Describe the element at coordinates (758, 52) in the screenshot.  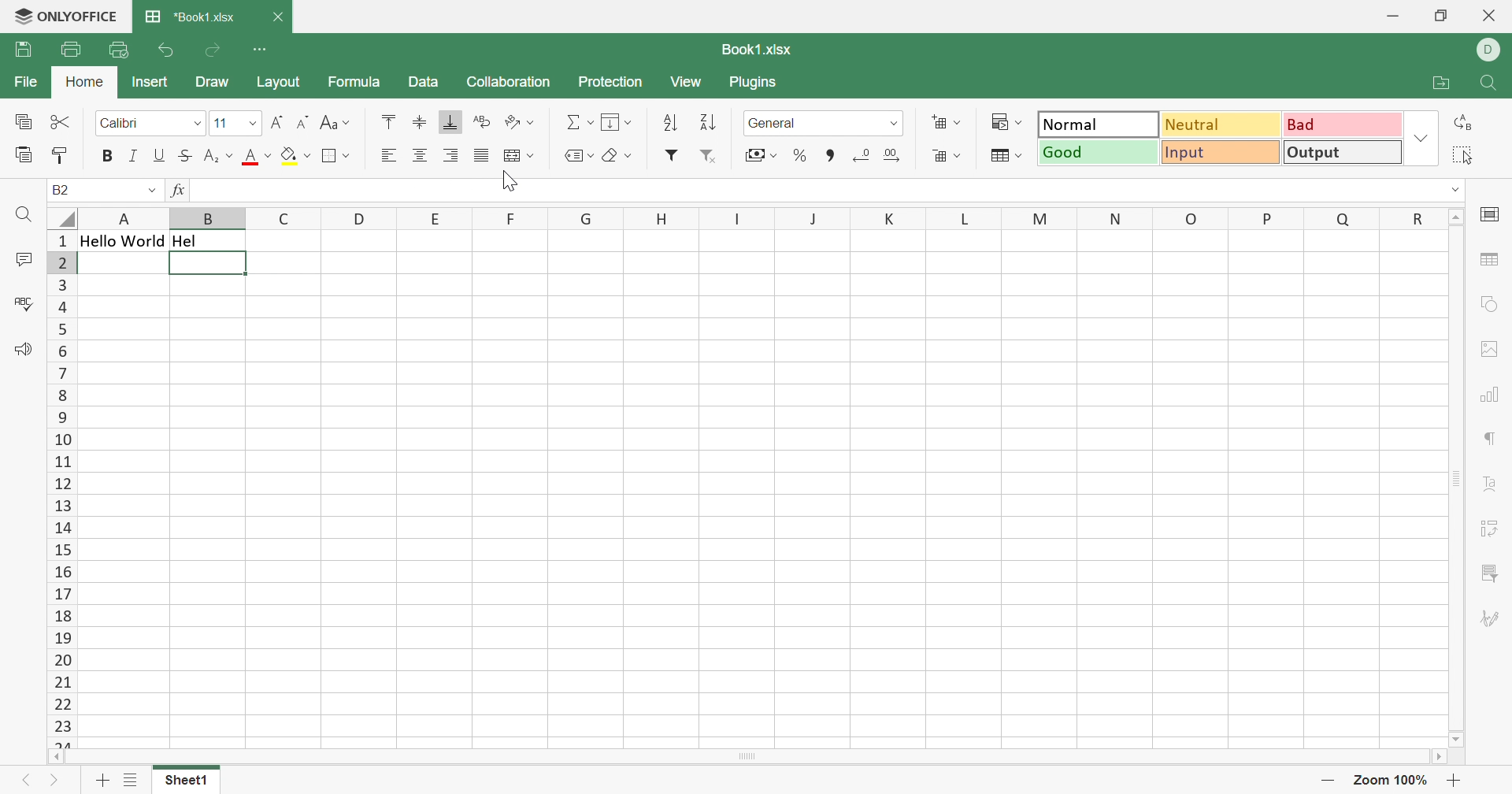
I see `Book1.xlsx` at that location.